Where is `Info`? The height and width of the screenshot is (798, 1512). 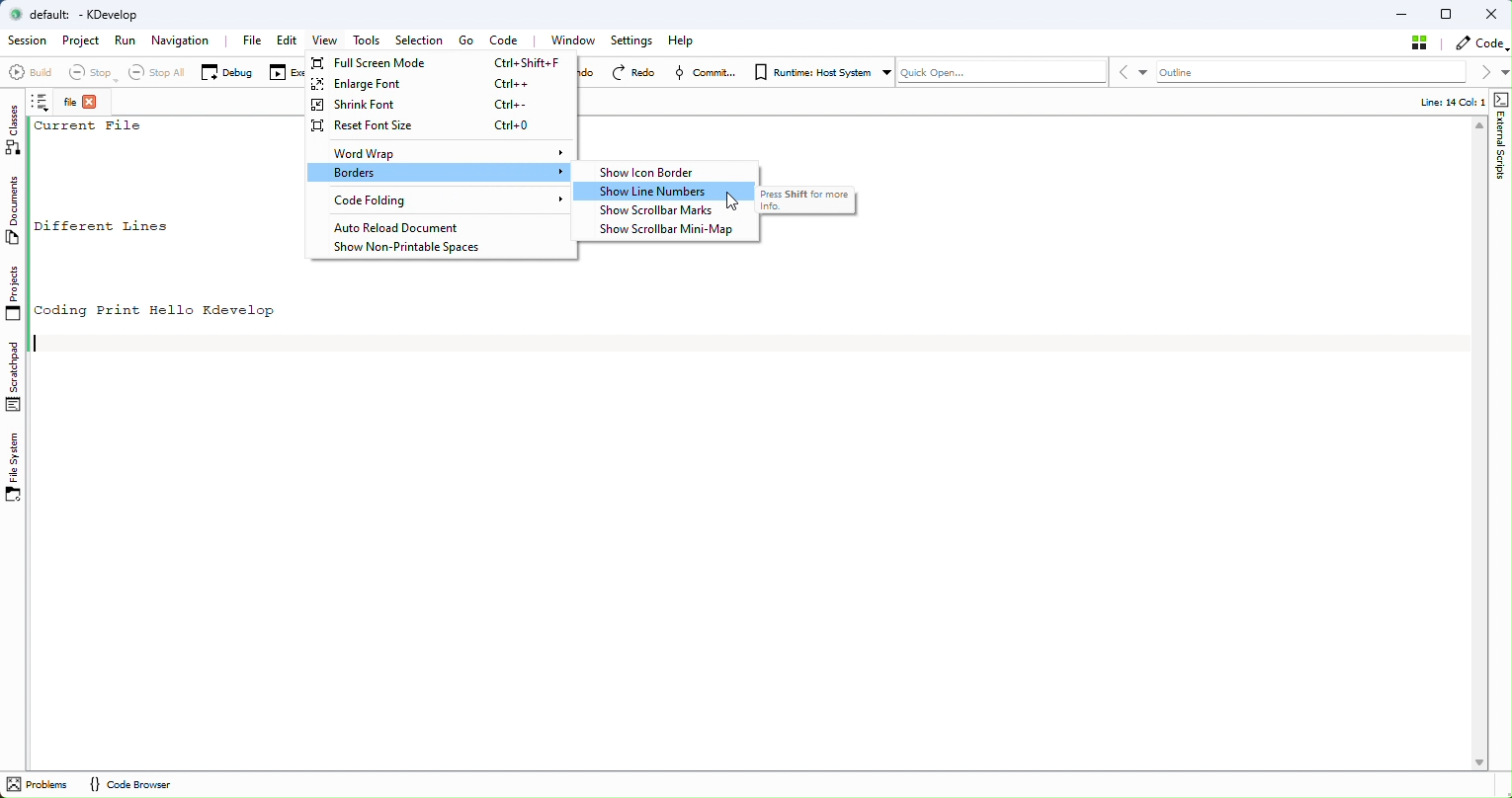 Info is located at coordinates (1443, 102).